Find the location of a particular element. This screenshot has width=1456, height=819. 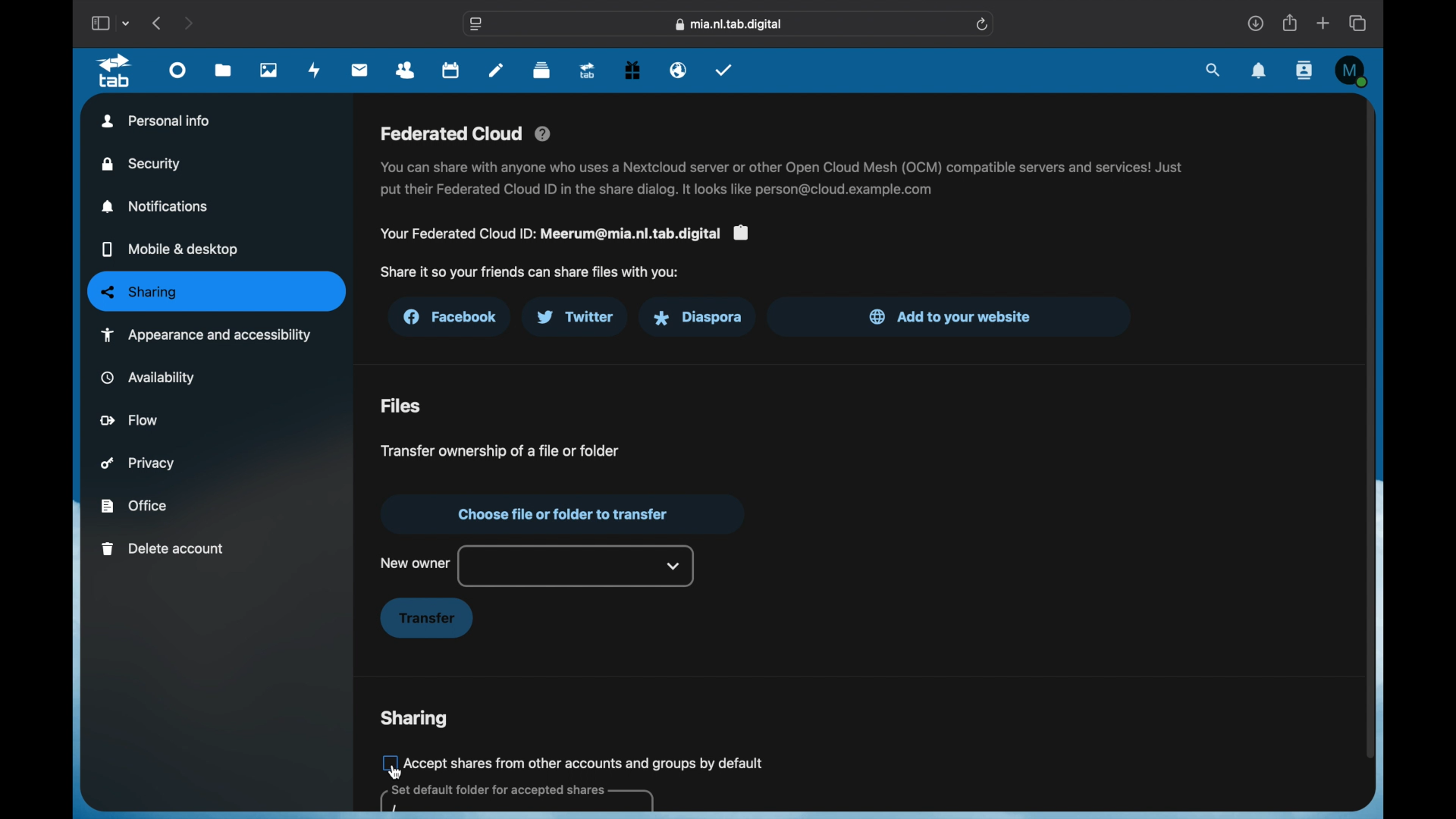

transfer is located at coordinates (426, 619).